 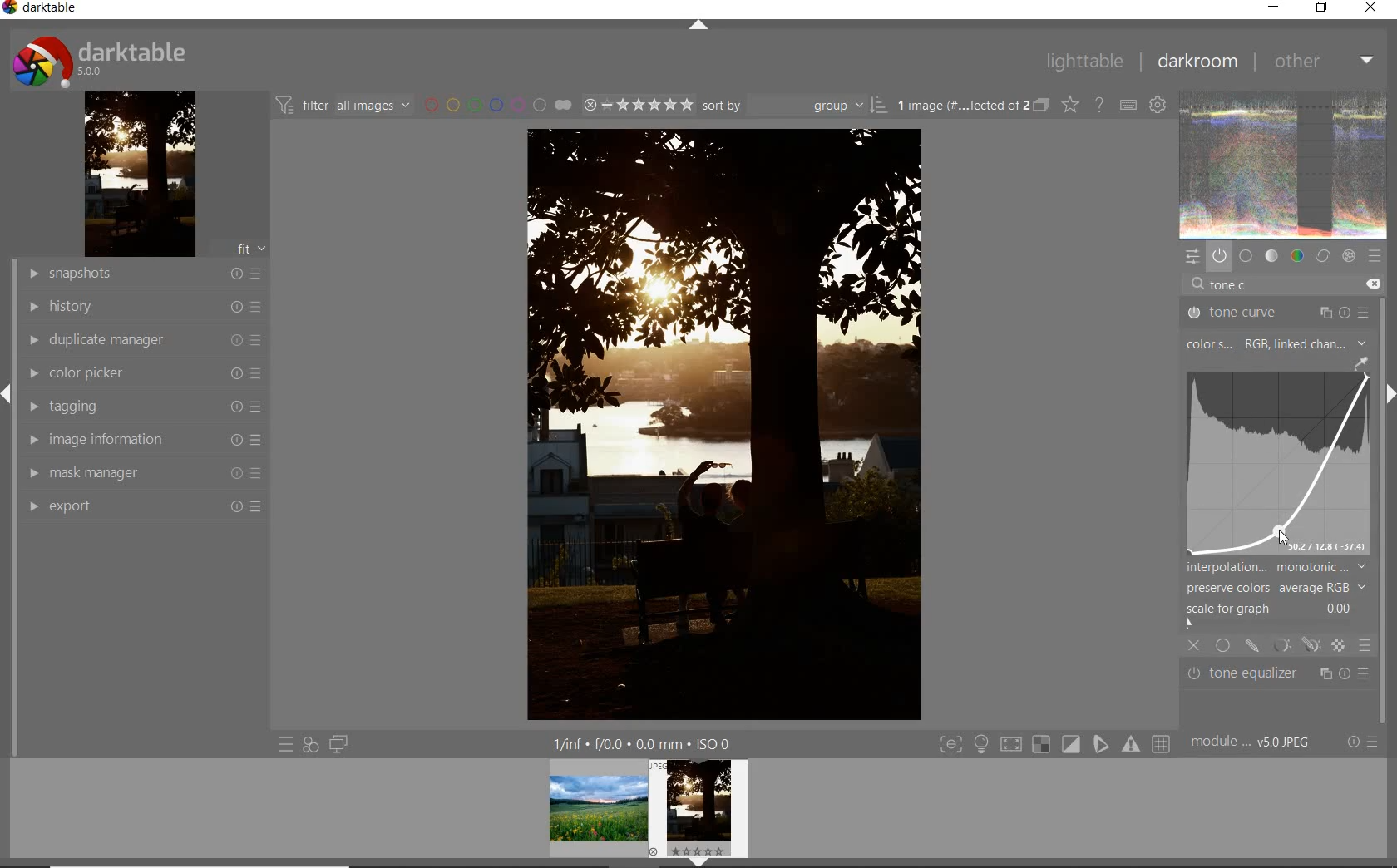 What do you see at coordinates (1054, 746) in the screenshot?
I see `toggle modes` at bounding box center [1054, 746].